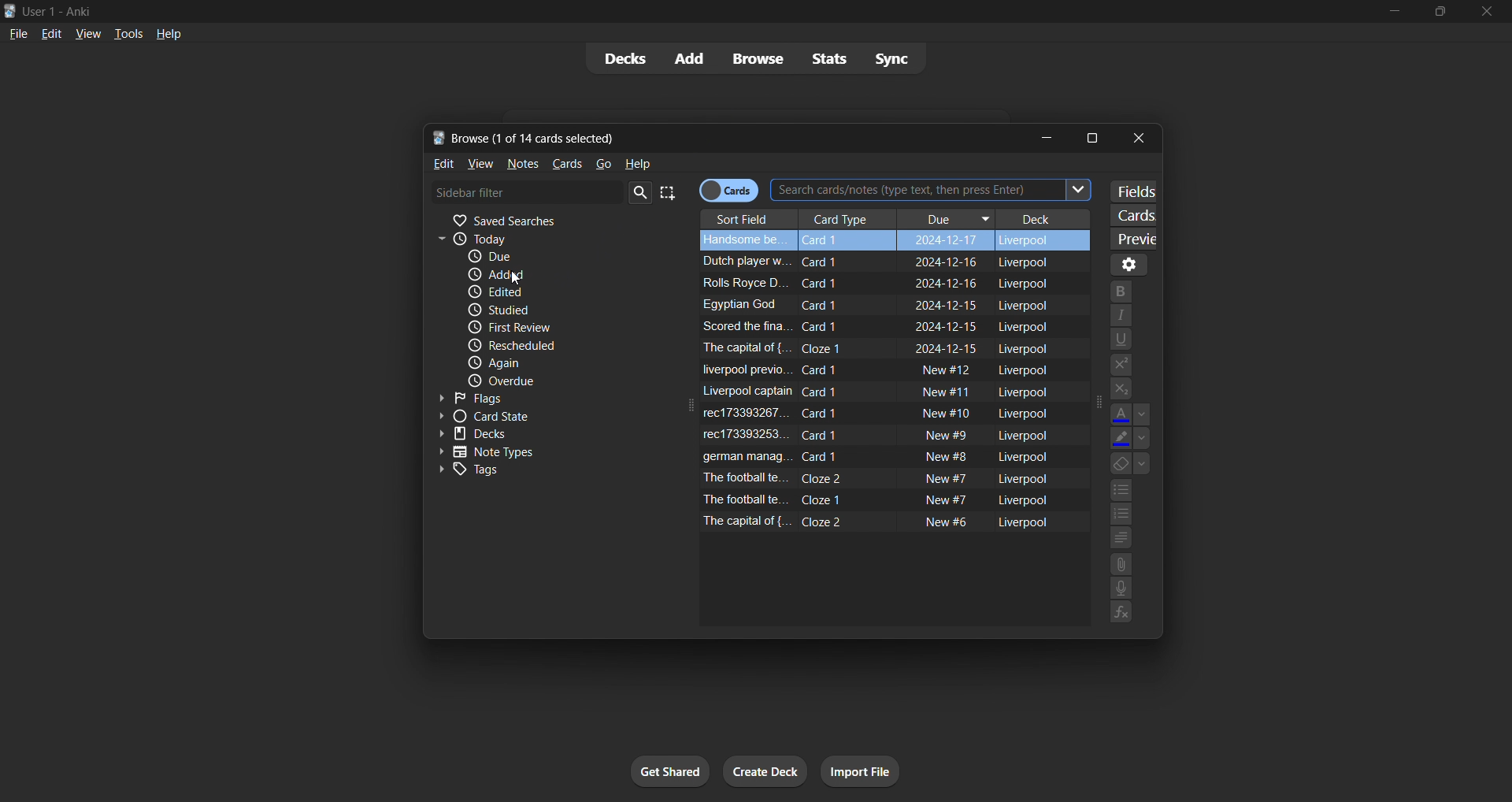  Describe the element at coordinates (87, 32) in the screenshot. I see `view` at that location.